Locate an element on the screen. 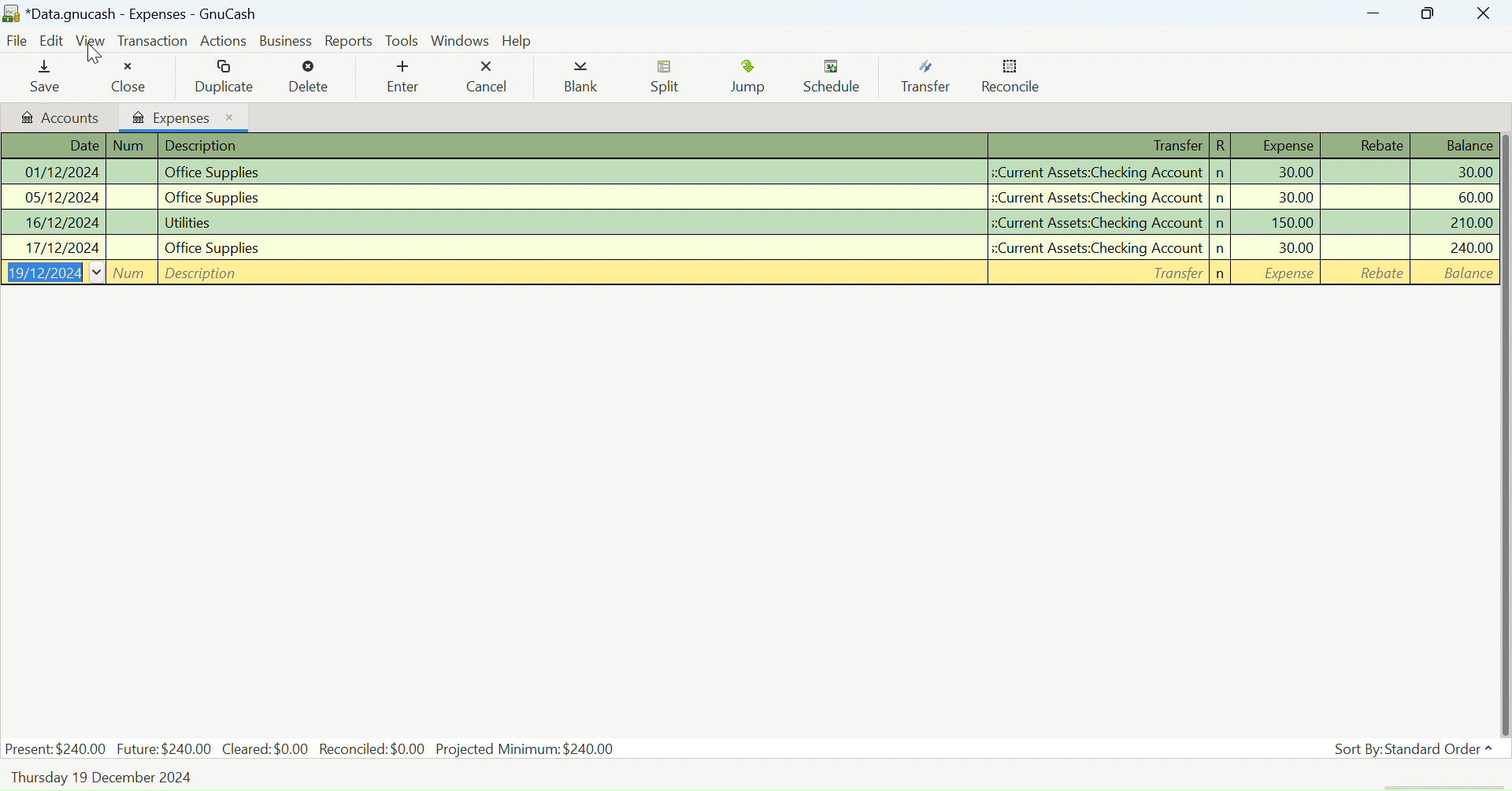  Tools is located at coordinates (402, 39).